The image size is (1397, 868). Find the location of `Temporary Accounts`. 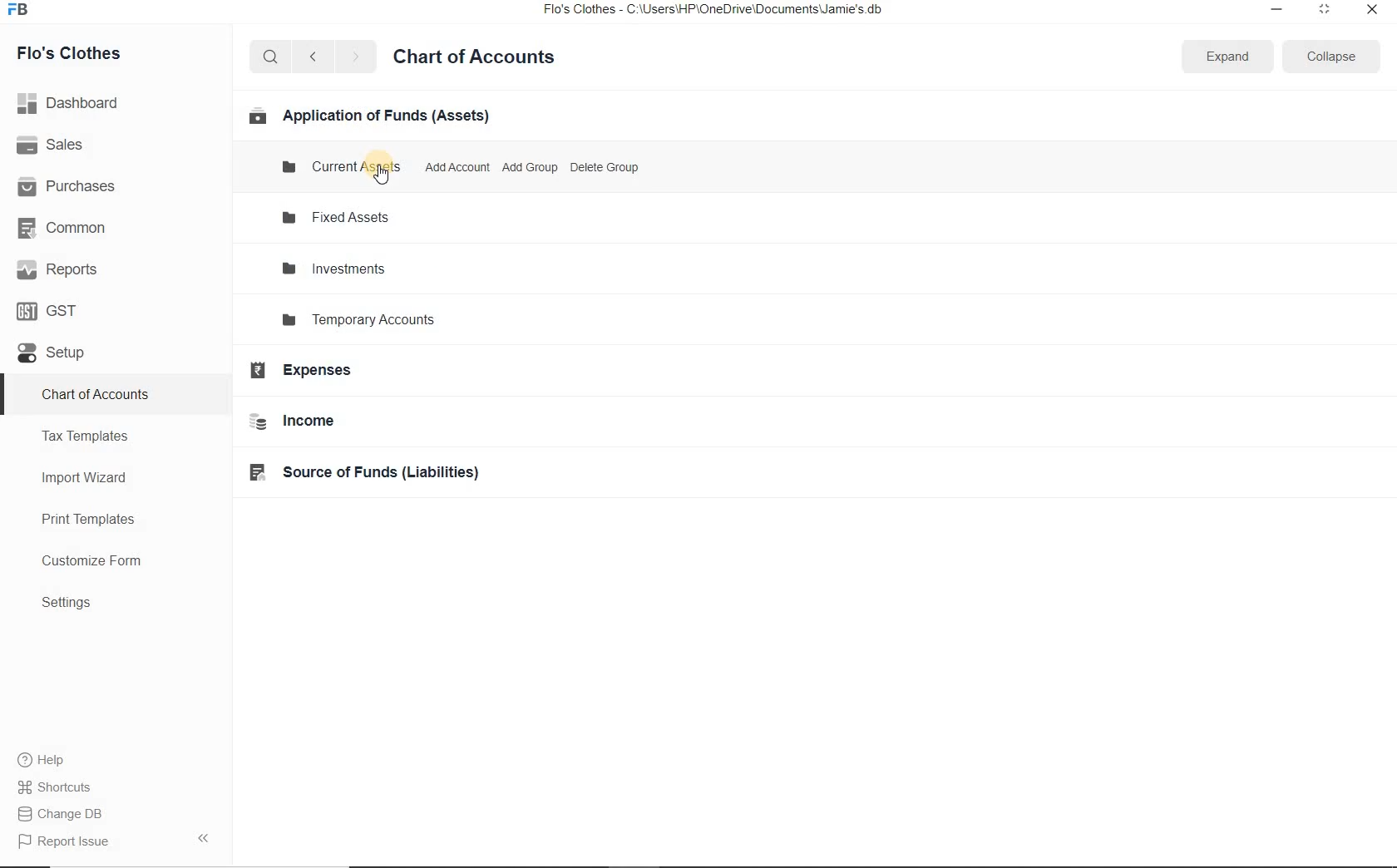

Temporary Accounts is located at coordinates (418, 322).